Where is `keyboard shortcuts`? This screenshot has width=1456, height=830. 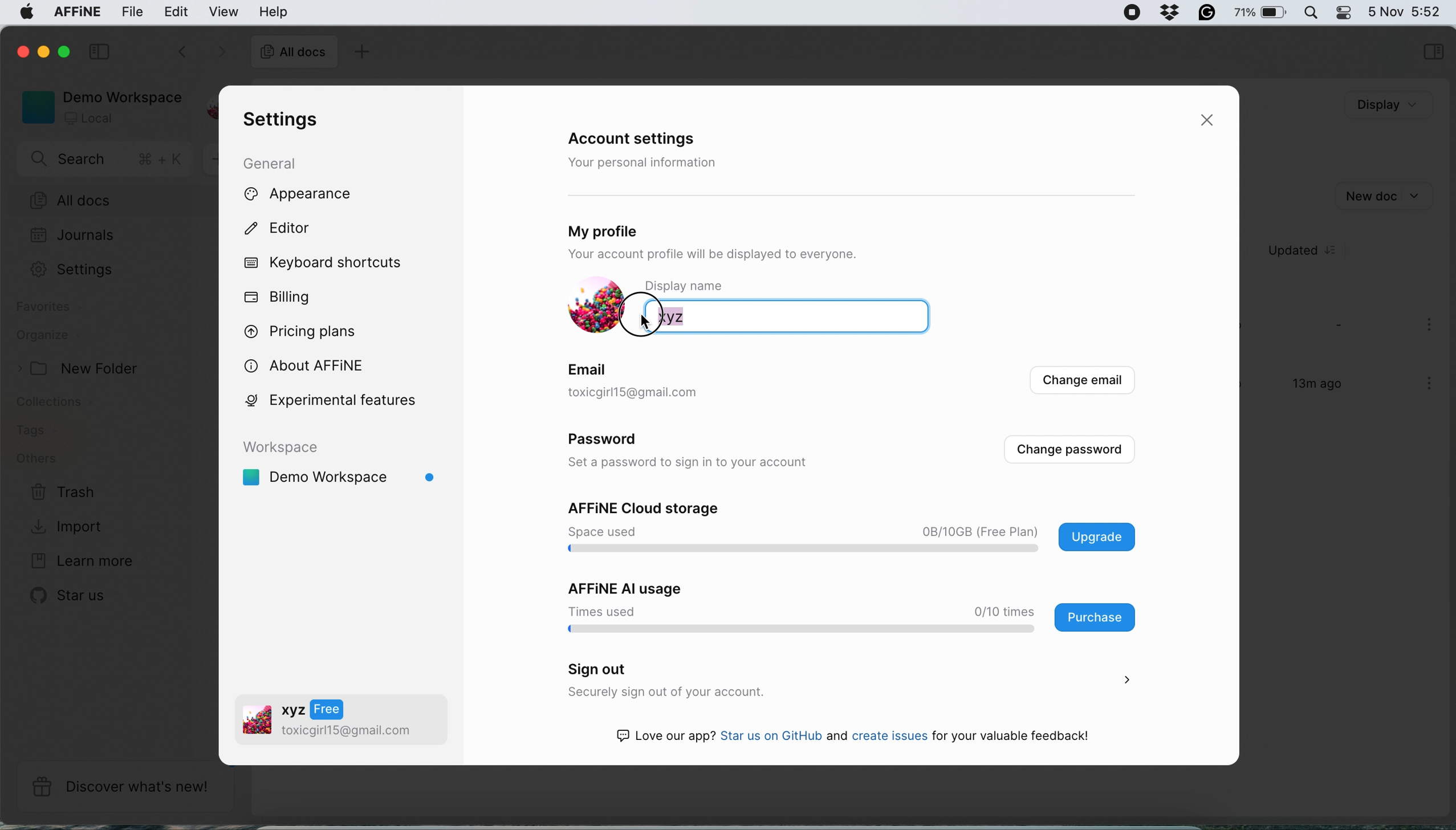
keyboard shortcuts is located at coordinates (328, 263).